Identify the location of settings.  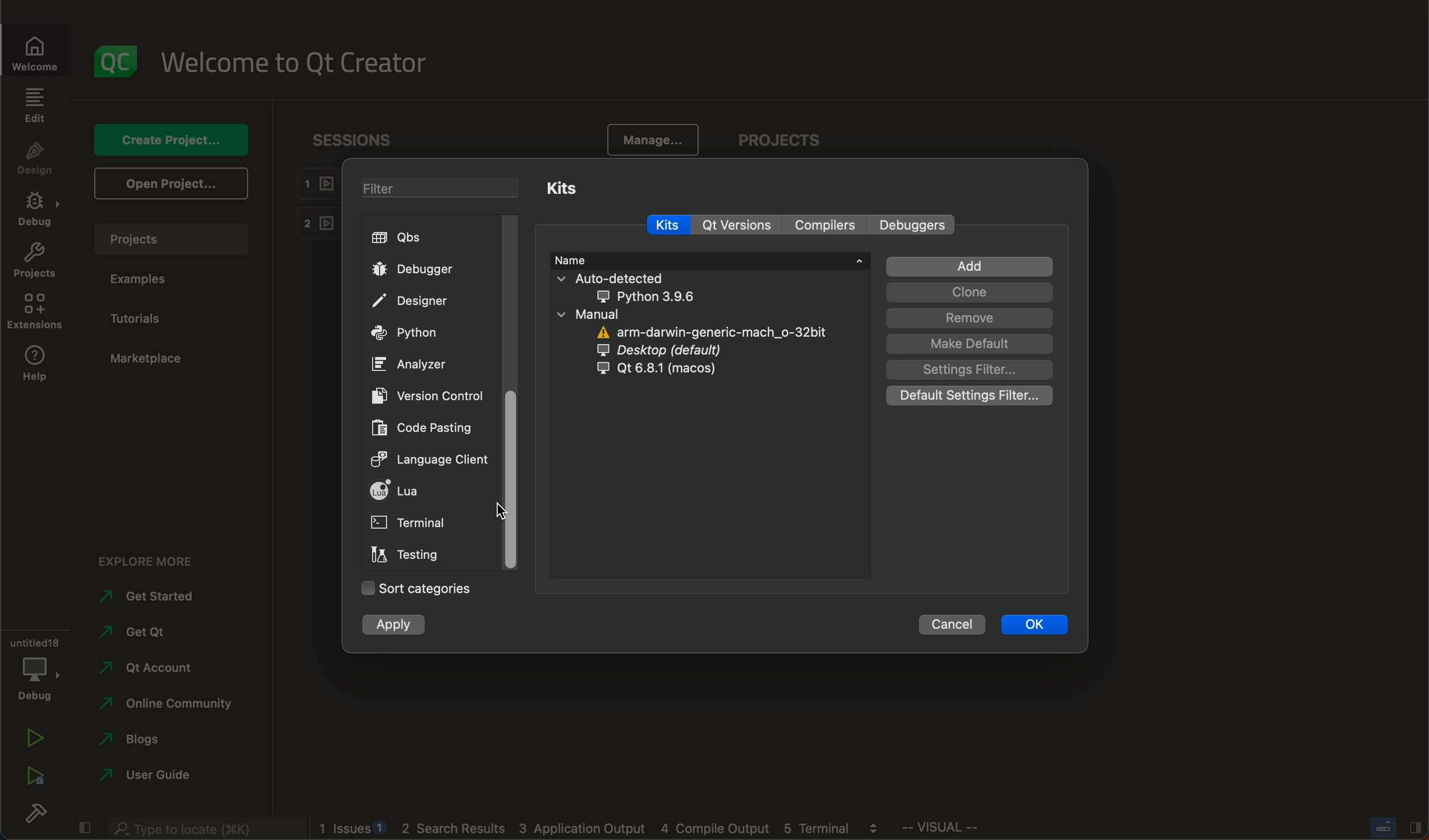
(973, 369).